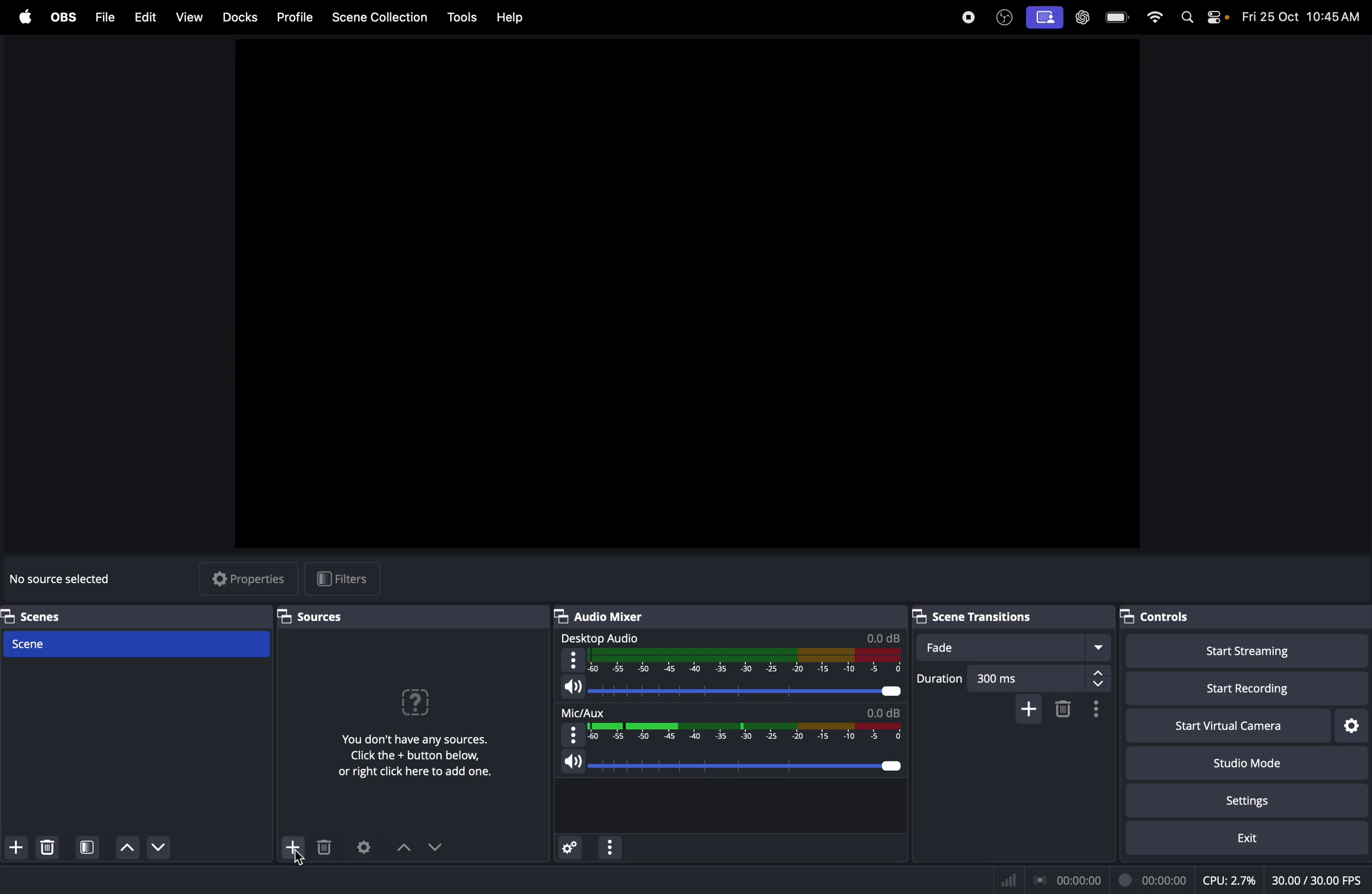 This screenshot has width=1372, height=894. I want to click on desktop audio, so click(603, 638).